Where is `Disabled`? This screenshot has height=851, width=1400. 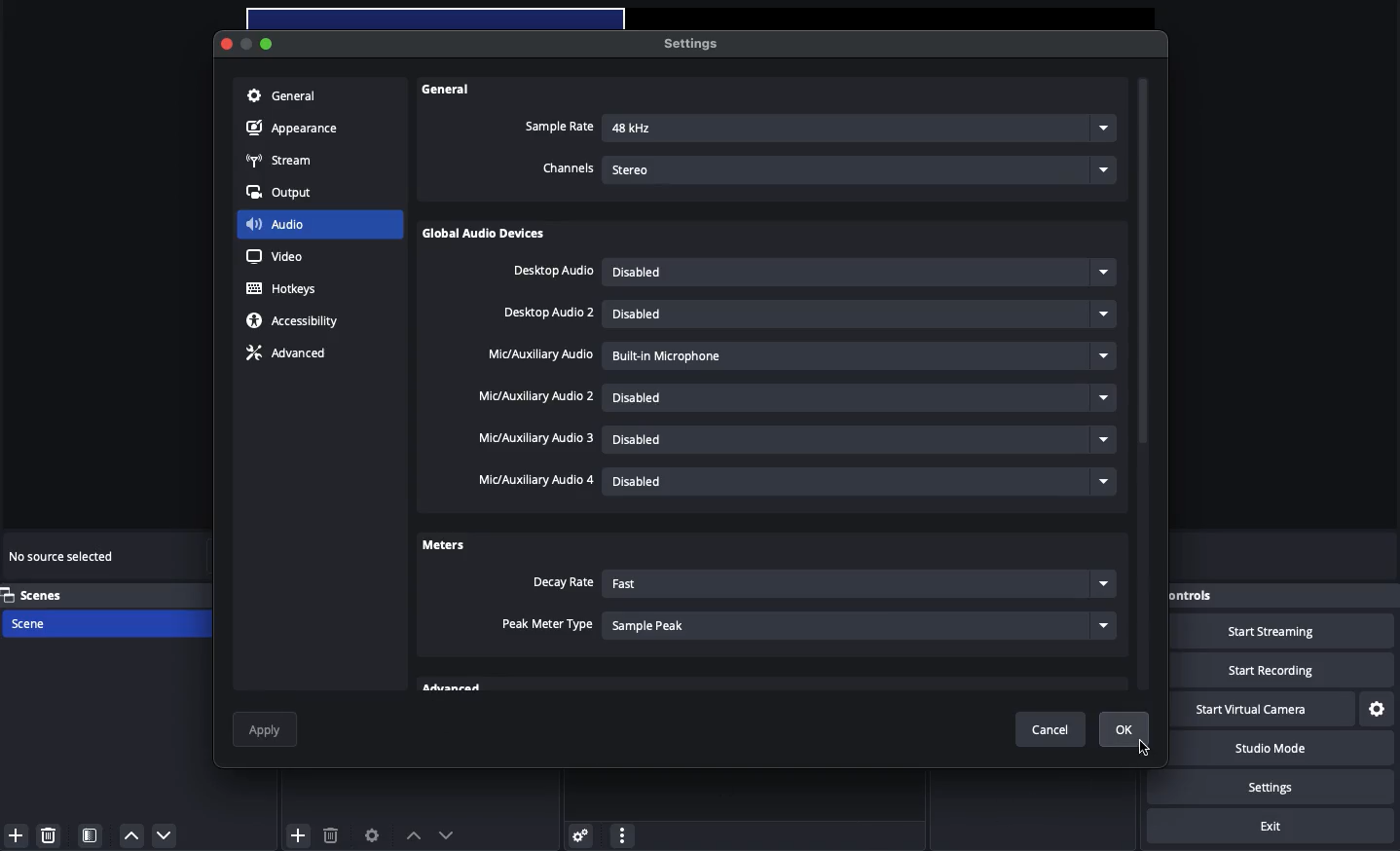 Disabled is located at coordinates (859, 442).